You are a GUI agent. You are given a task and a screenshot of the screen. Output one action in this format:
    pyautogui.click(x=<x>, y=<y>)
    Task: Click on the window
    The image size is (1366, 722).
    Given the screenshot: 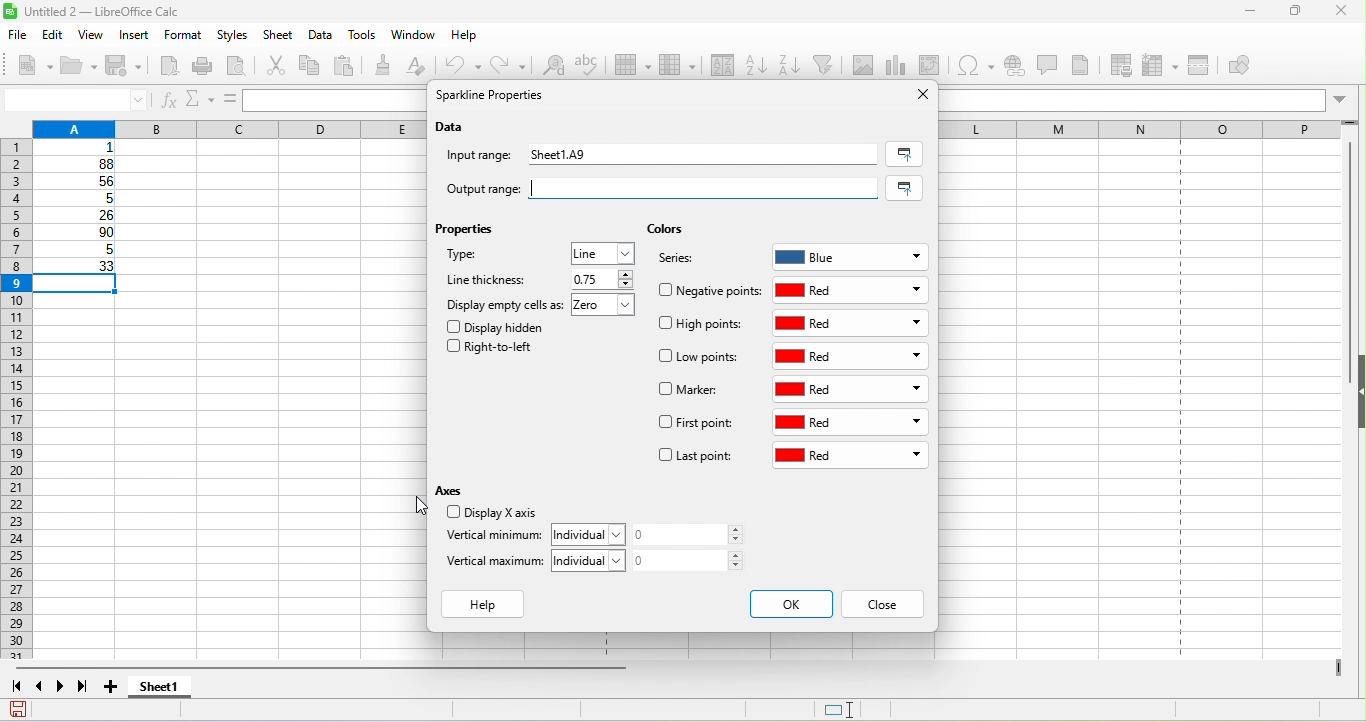 What is the action you would take?
    pyautogui.click(x=413, y=37)
    